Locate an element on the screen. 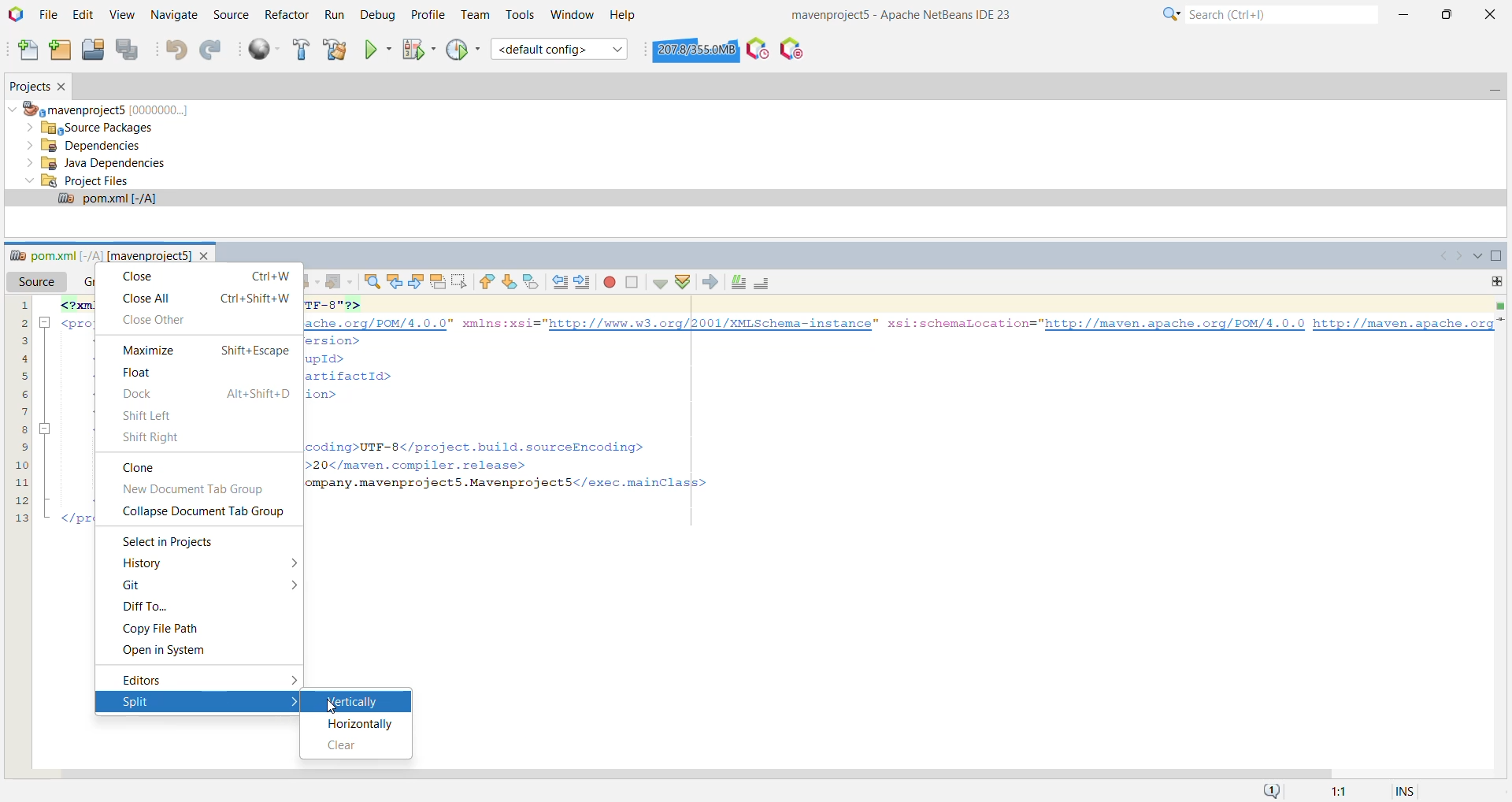 Image resolution: width=1512 pixels, height=802 pixels.  is located at coordinates (1342, 790).